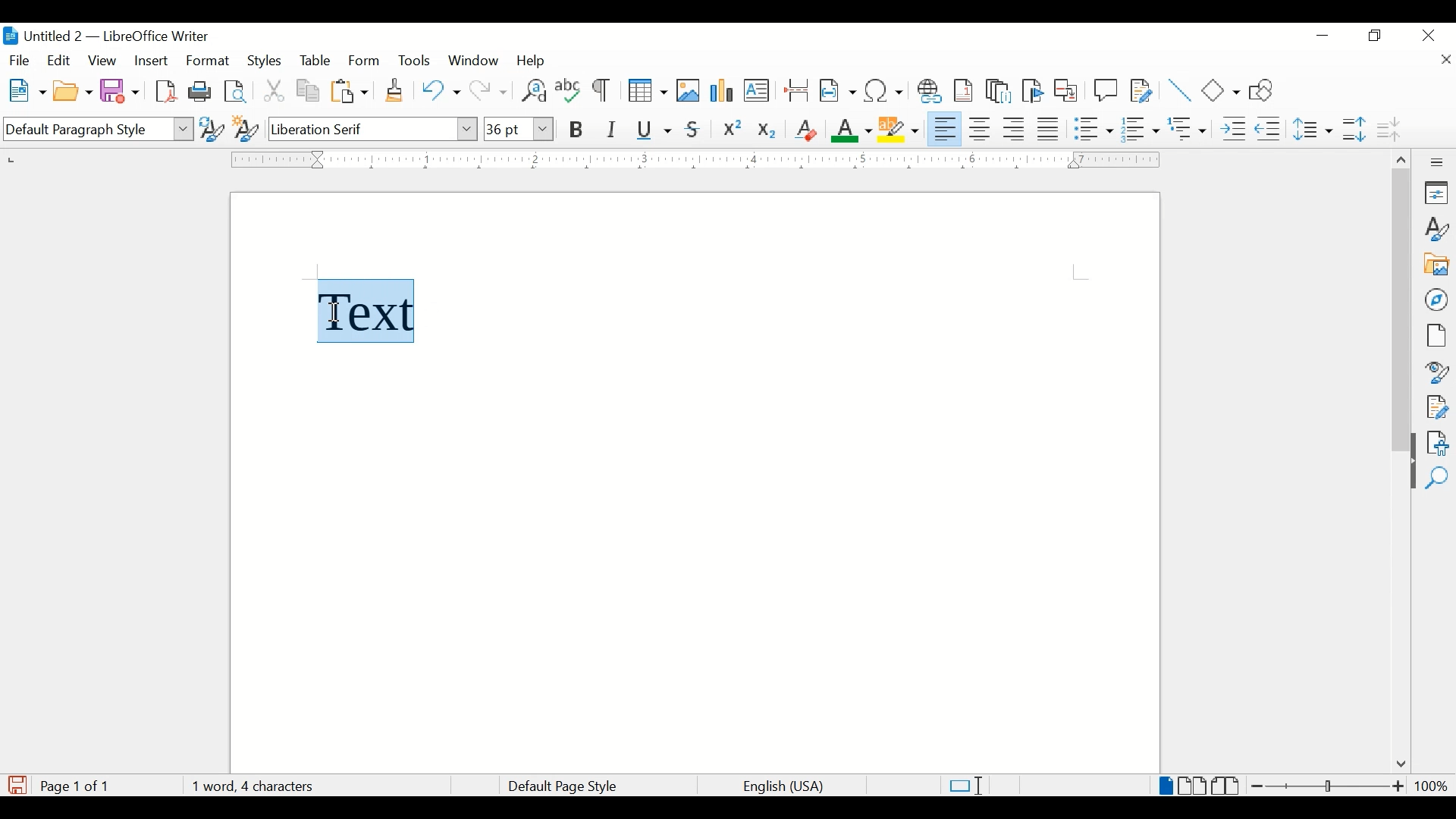 This screenshot has width=1456, height=819. What do you see at coordinates (884, 89) in the screenshot?
I see `insert special characters` at bounding box center [884, 89].